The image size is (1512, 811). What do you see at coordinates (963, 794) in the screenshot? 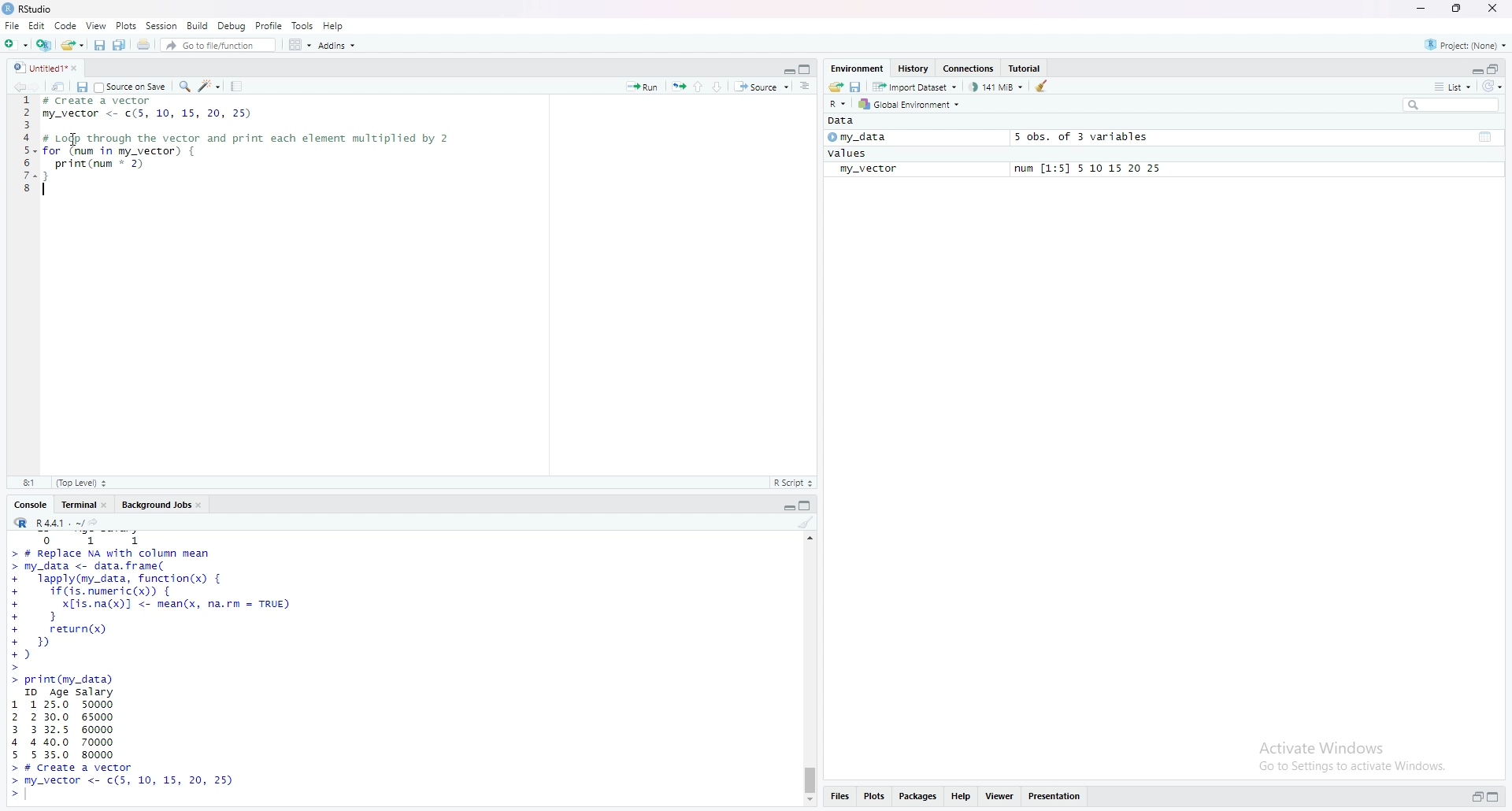
I see `help` at bounding box center [963, 794].